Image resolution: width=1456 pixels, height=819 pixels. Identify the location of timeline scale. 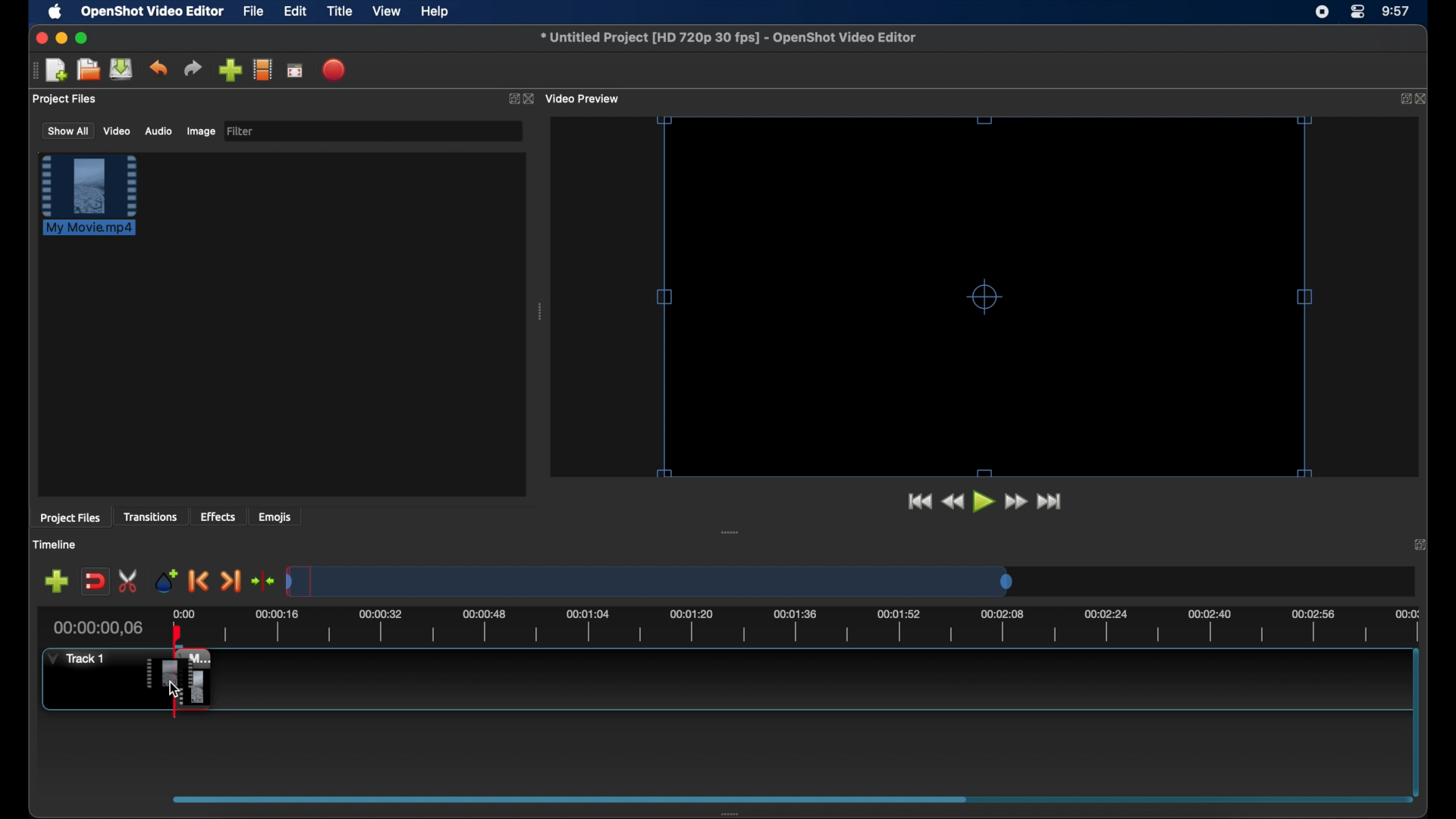
(816, 628).